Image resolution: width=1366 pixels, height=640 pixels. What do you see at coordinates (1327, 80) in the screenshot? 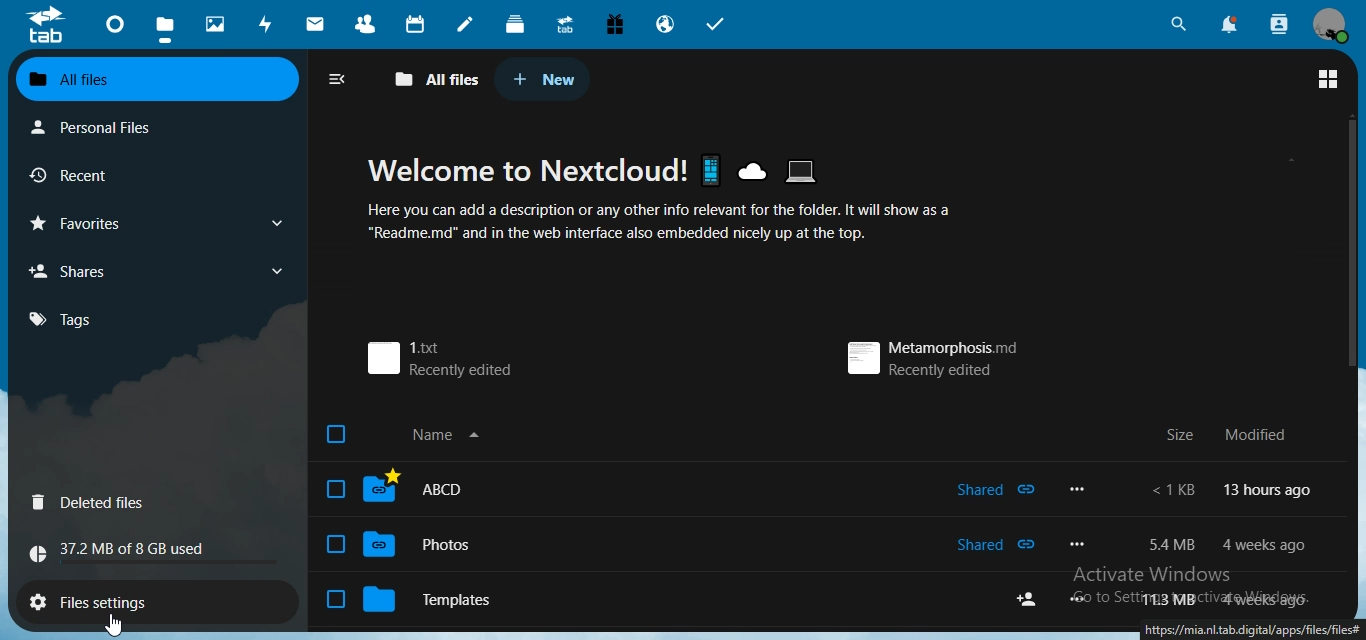
I see `switch to grid view` at bounding box center [1327, 80].